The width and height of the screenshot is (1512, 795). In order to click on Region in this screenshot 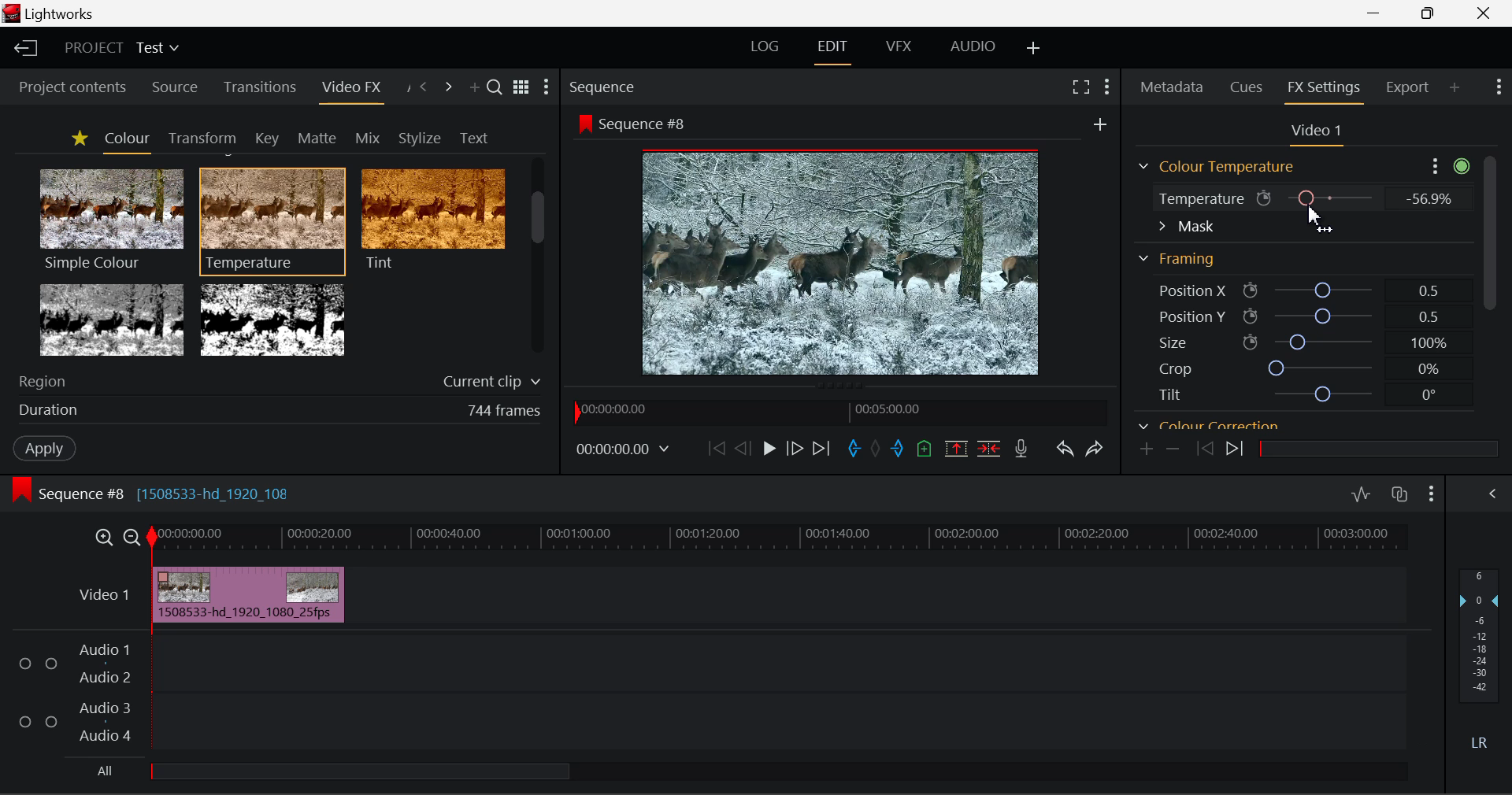, I will do `click(46, 380)`.